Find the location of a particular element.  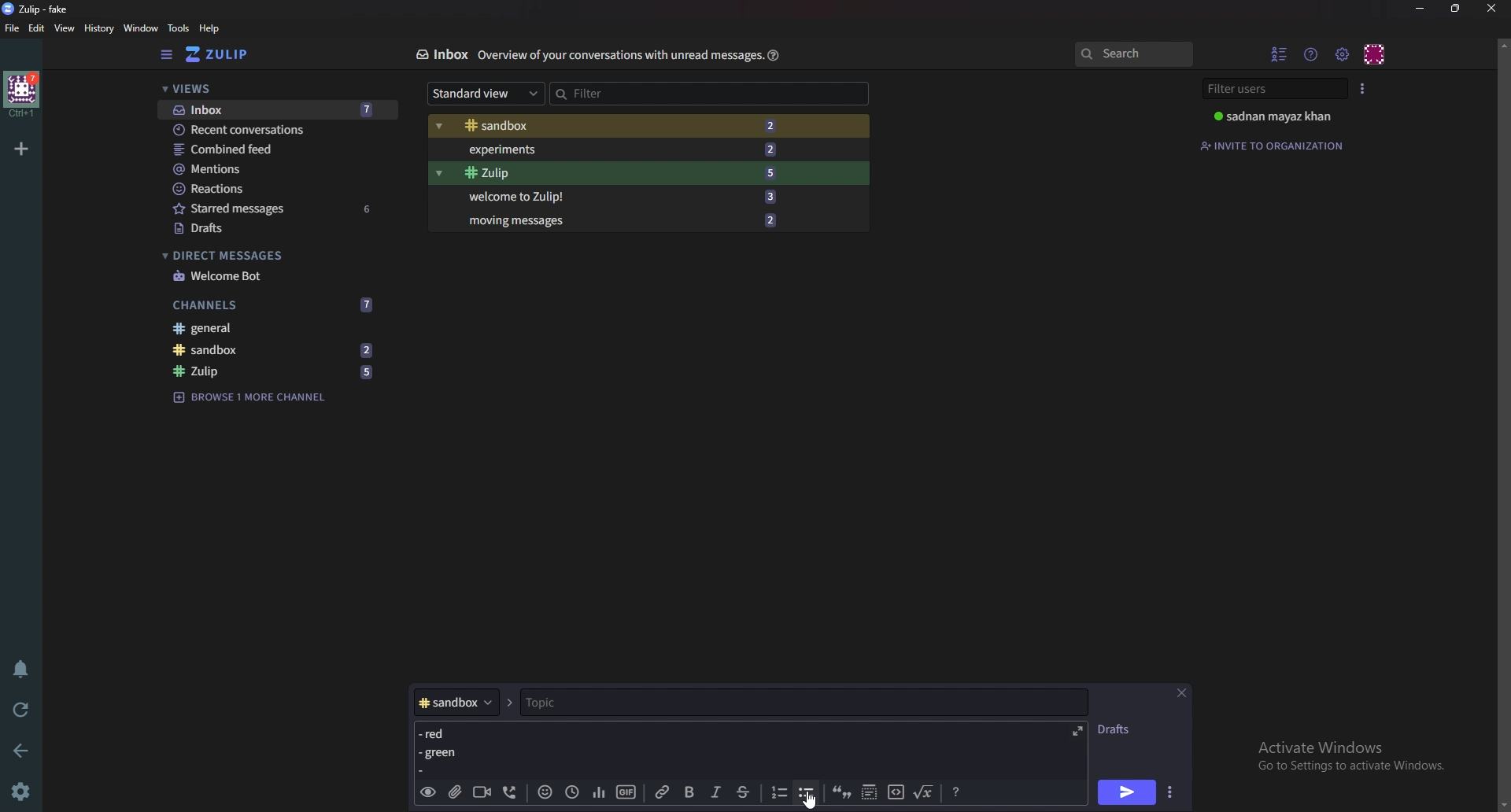

Inbox is located at coordinates (441, 54).